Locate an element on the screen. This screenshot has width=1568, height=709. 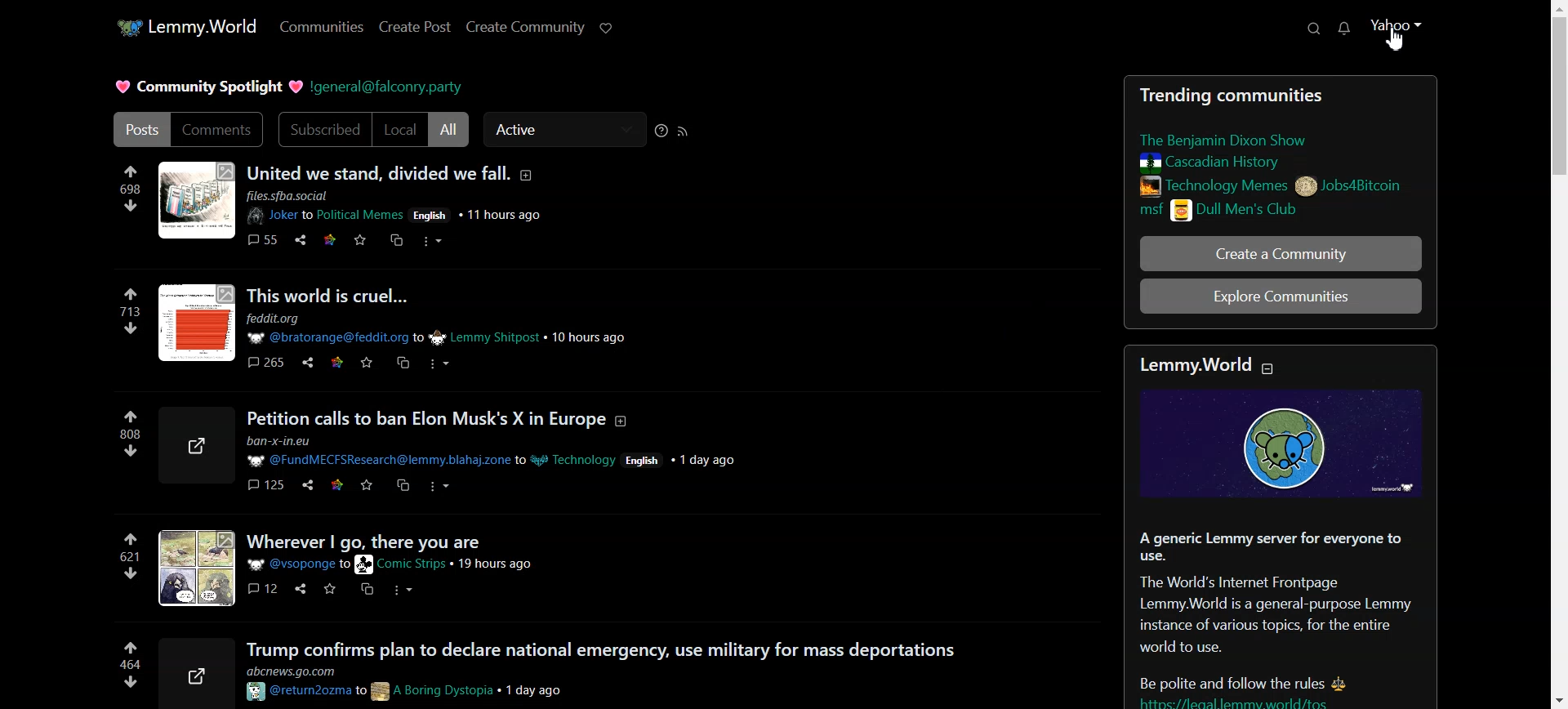
share is located at coordinates (188, 443).